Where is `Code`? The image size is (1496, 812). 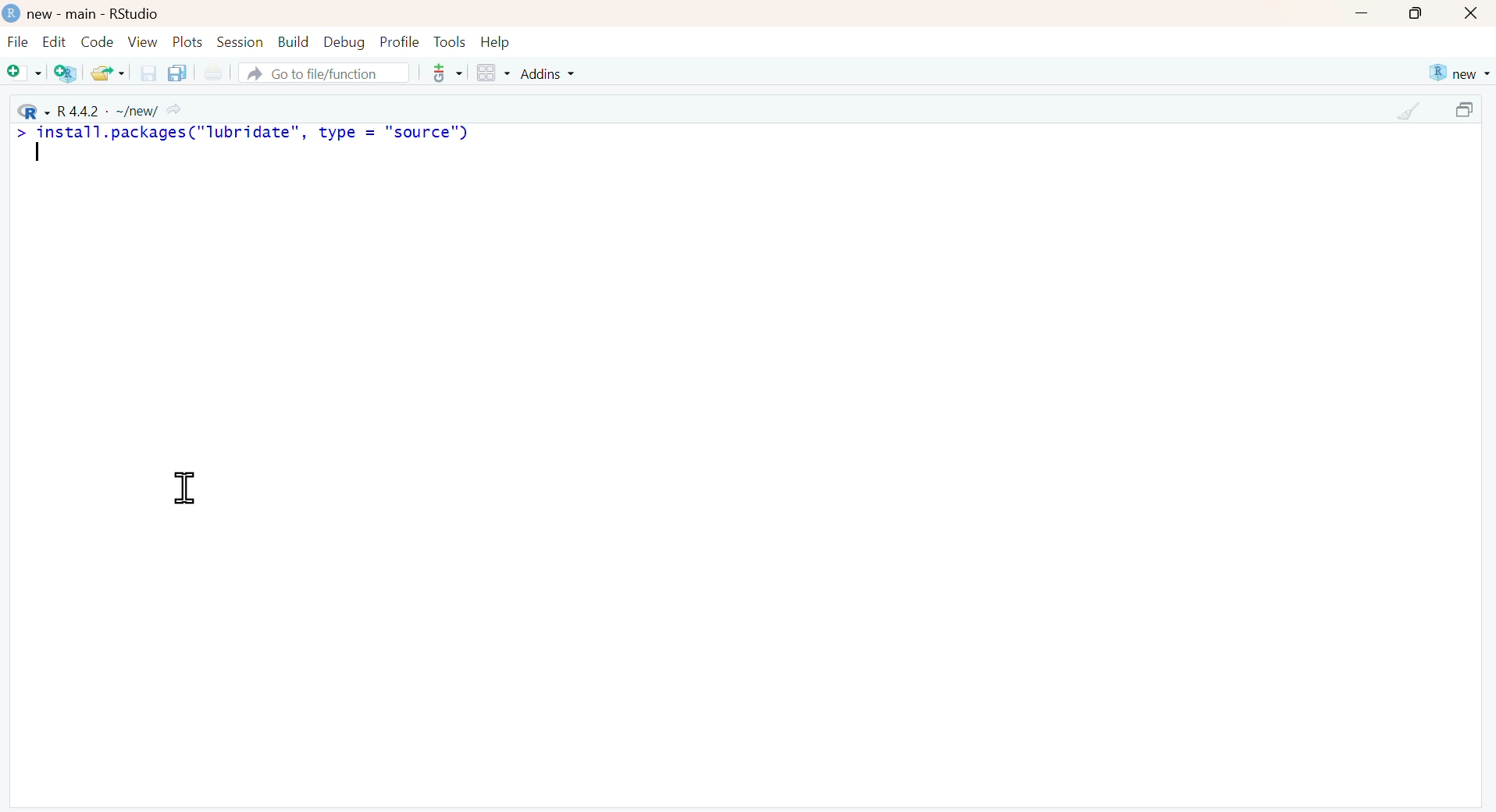 Code is located at coordinates (95, 41).